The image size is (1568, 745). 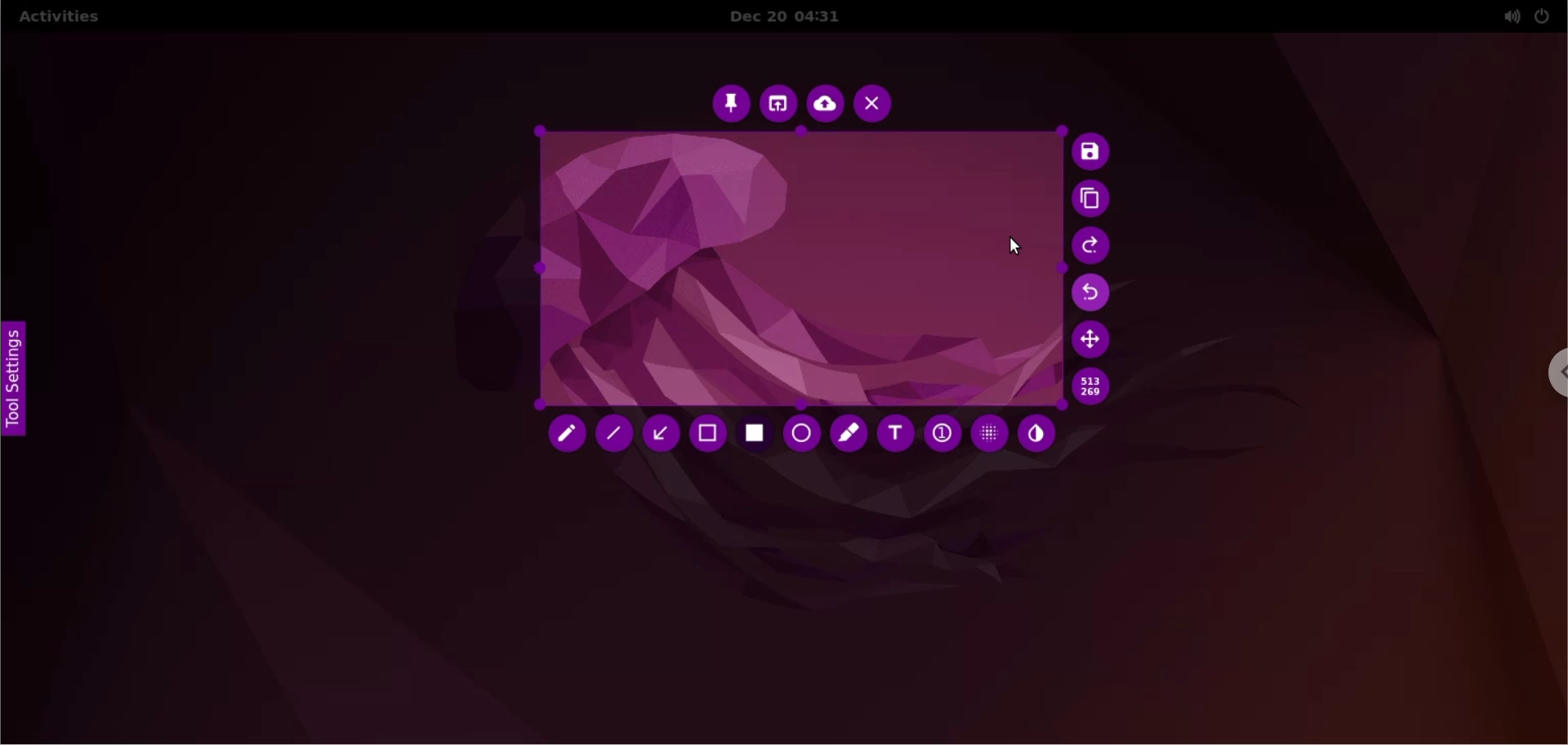 What do you see at coordinates (1091, 247) in the screenshot?
I see `redo` at bounding box center [1091, 247].